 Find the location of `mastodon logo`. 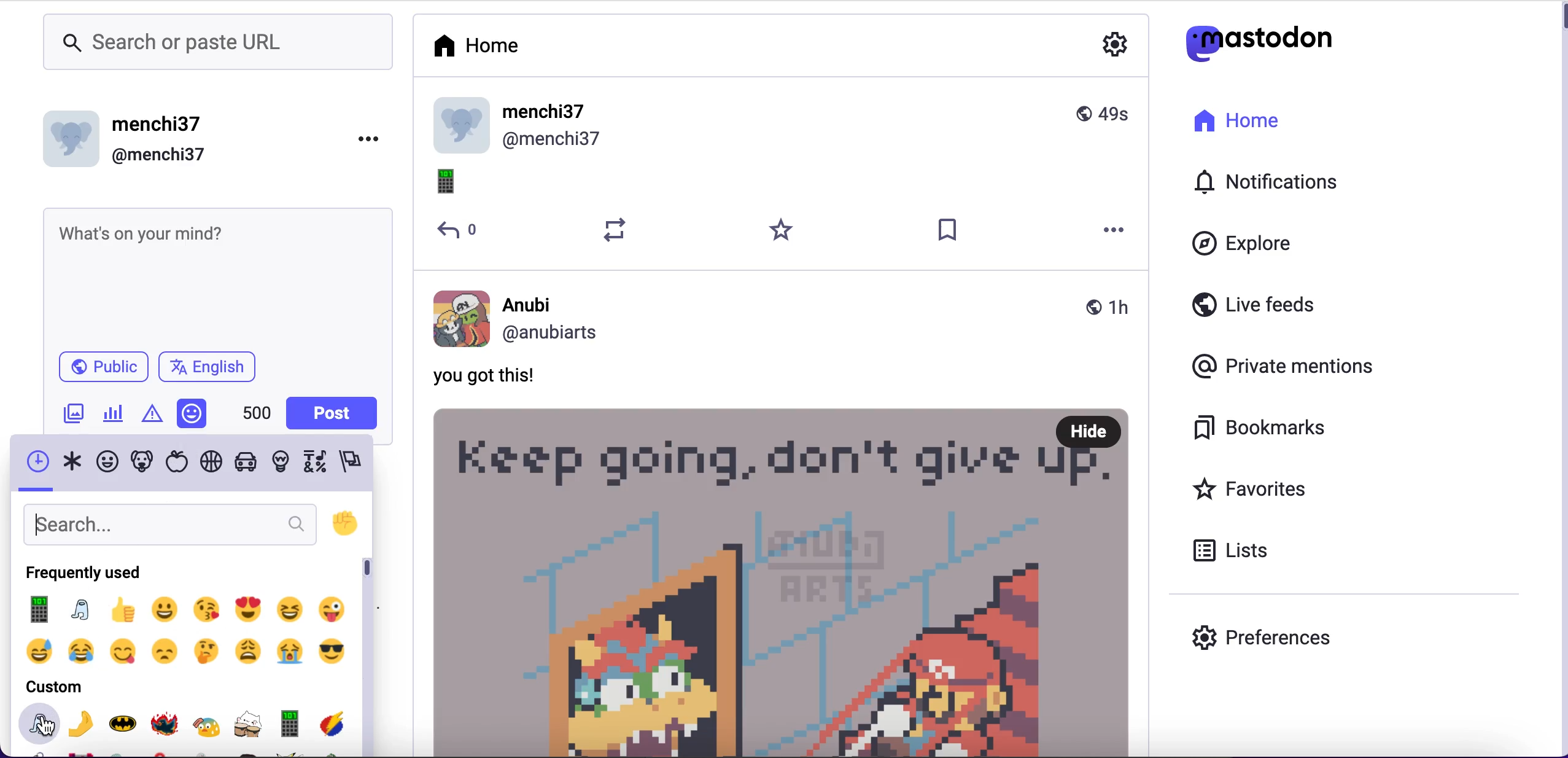

mastodon logo is located at coordinates (1251, 44).